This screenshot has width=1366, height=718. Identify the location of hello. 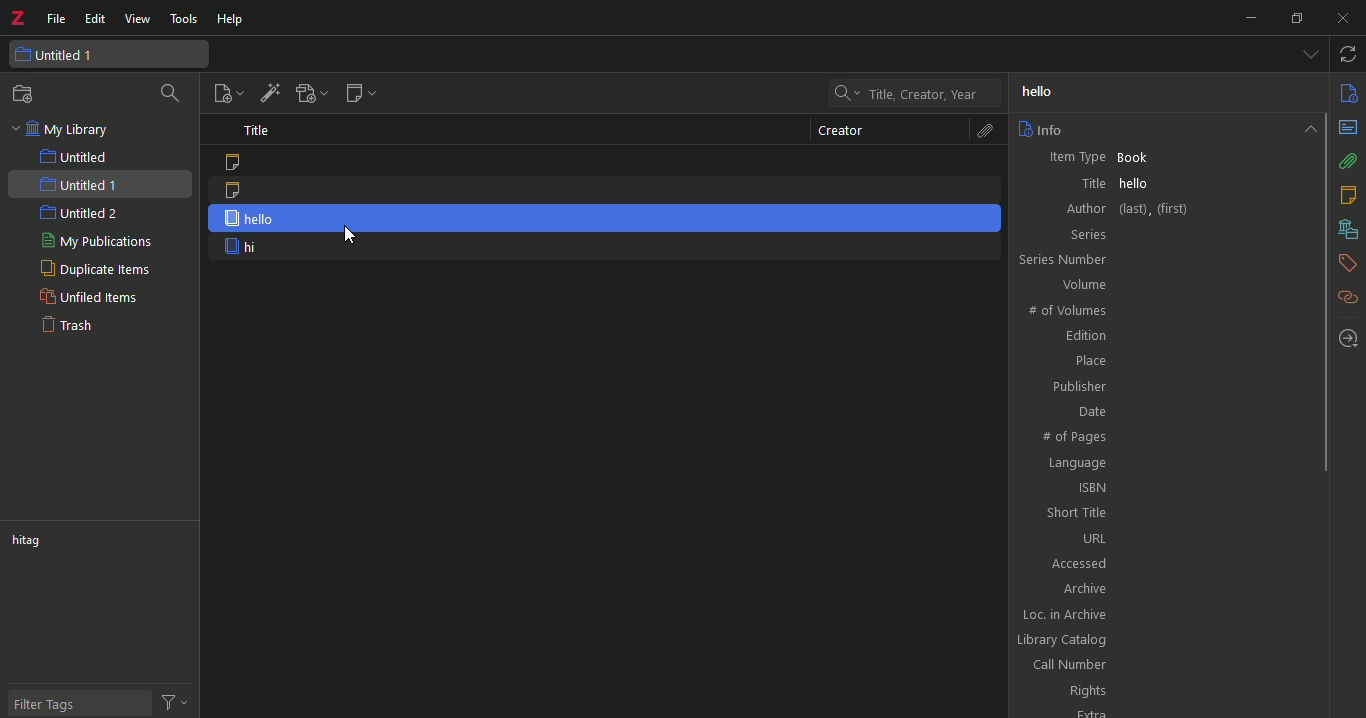
(262, 217).